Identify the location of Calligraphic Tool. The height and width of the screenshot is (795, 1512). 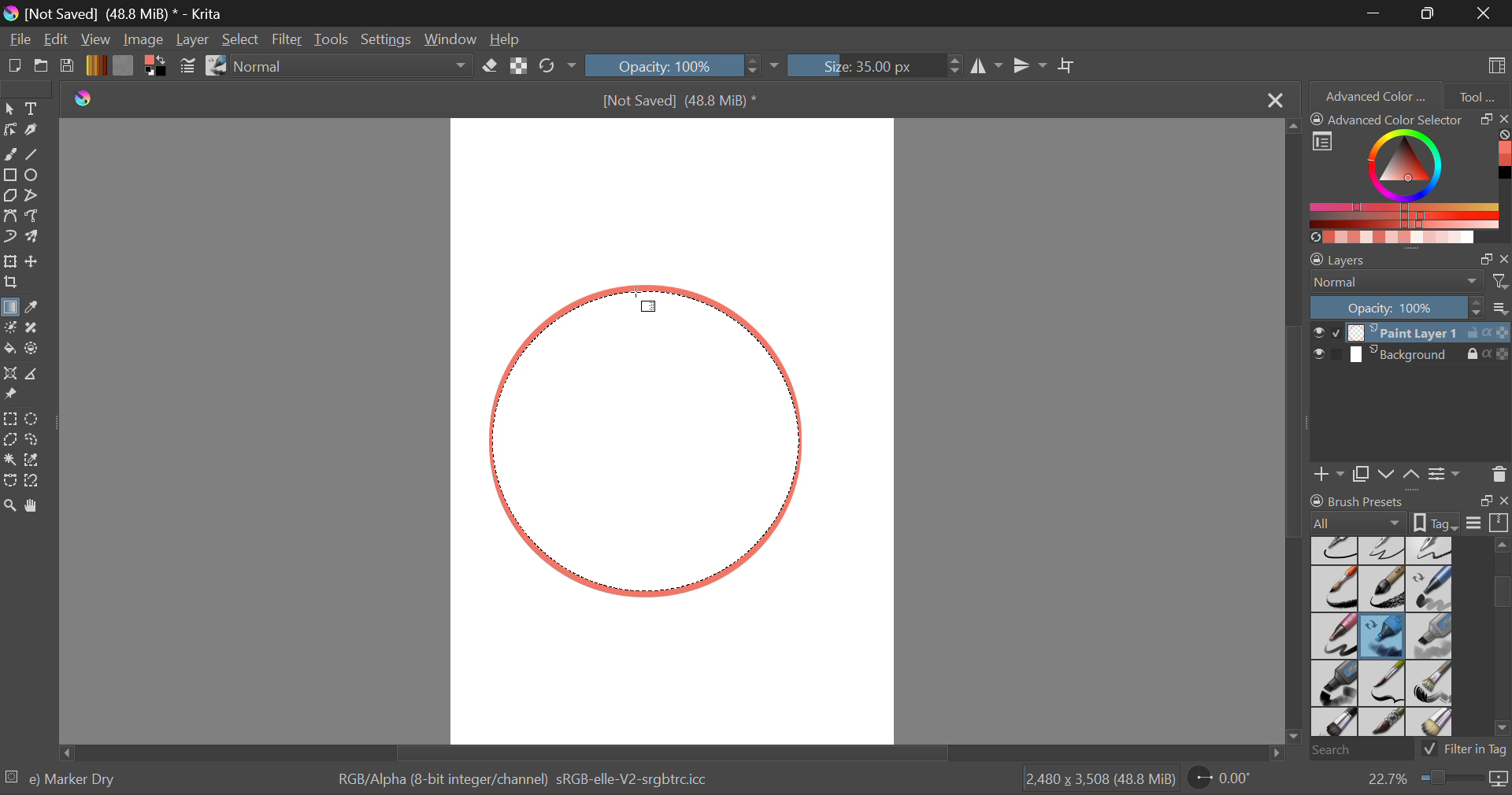
(35, 130).